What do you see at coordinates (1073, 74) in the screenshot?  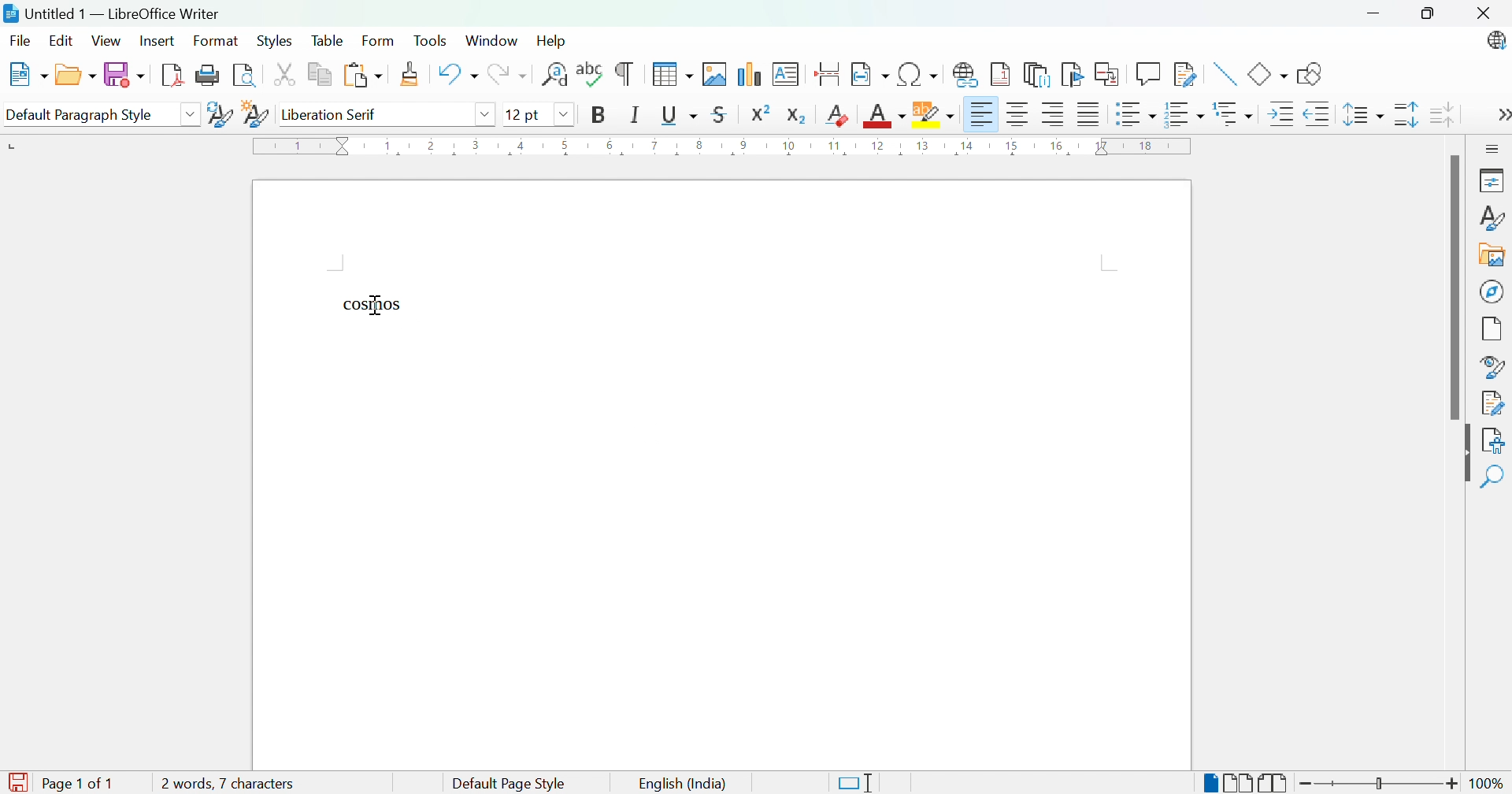 I see `Insert bookmark` at bounding box center [1073, 74].